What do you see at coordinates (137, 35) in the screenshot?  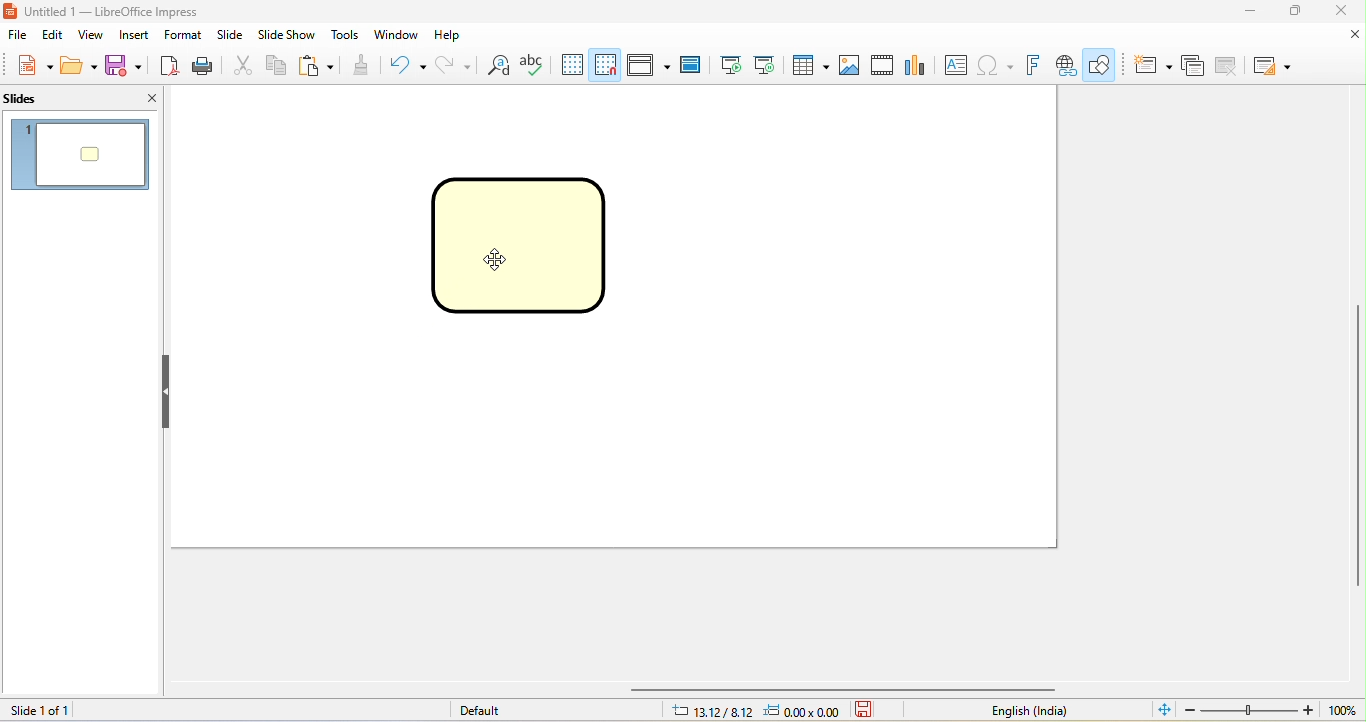 I see `insert` at bounding box center [137, 35].